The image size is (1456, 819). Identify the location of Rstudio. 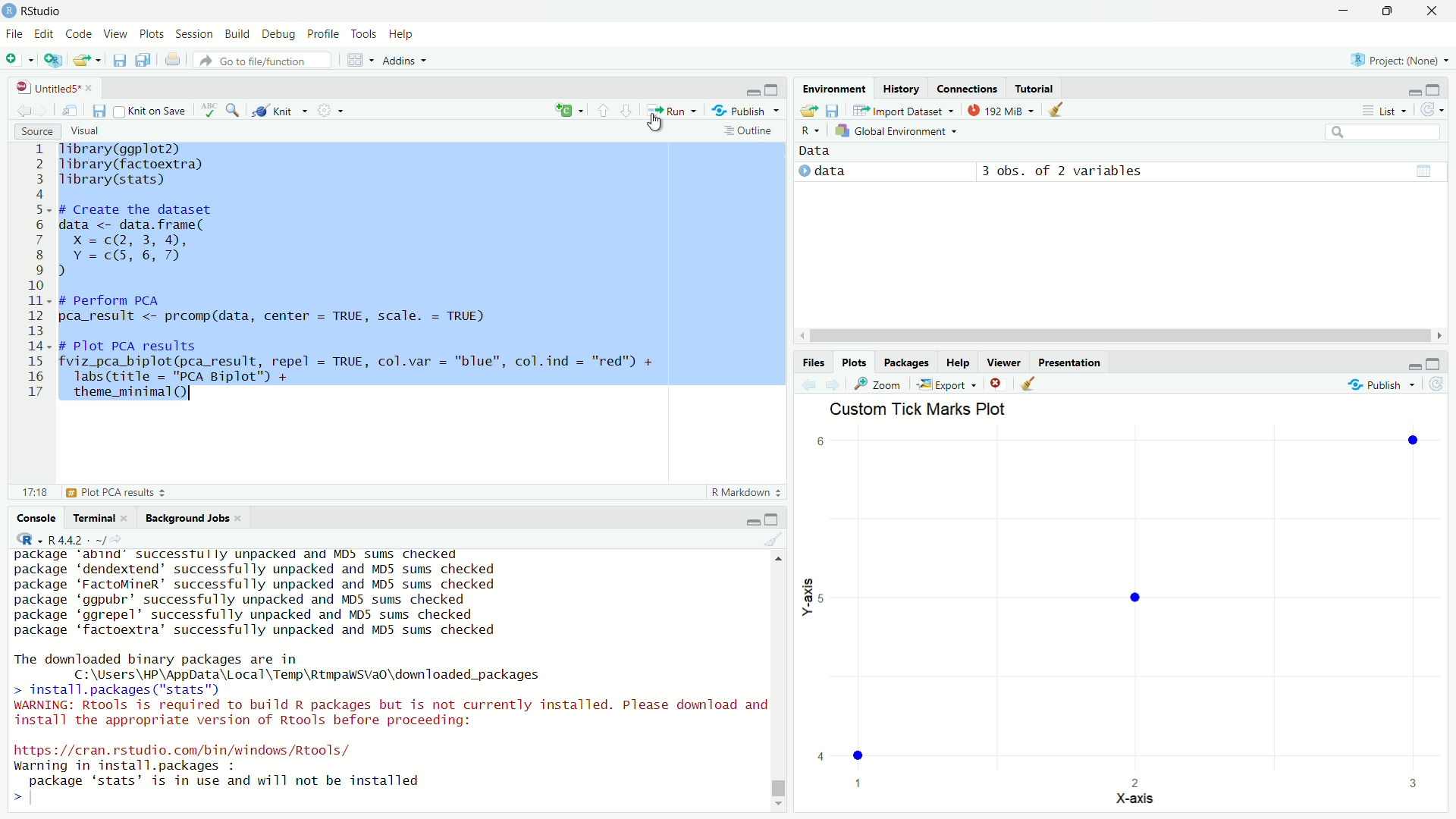
(50, 11).